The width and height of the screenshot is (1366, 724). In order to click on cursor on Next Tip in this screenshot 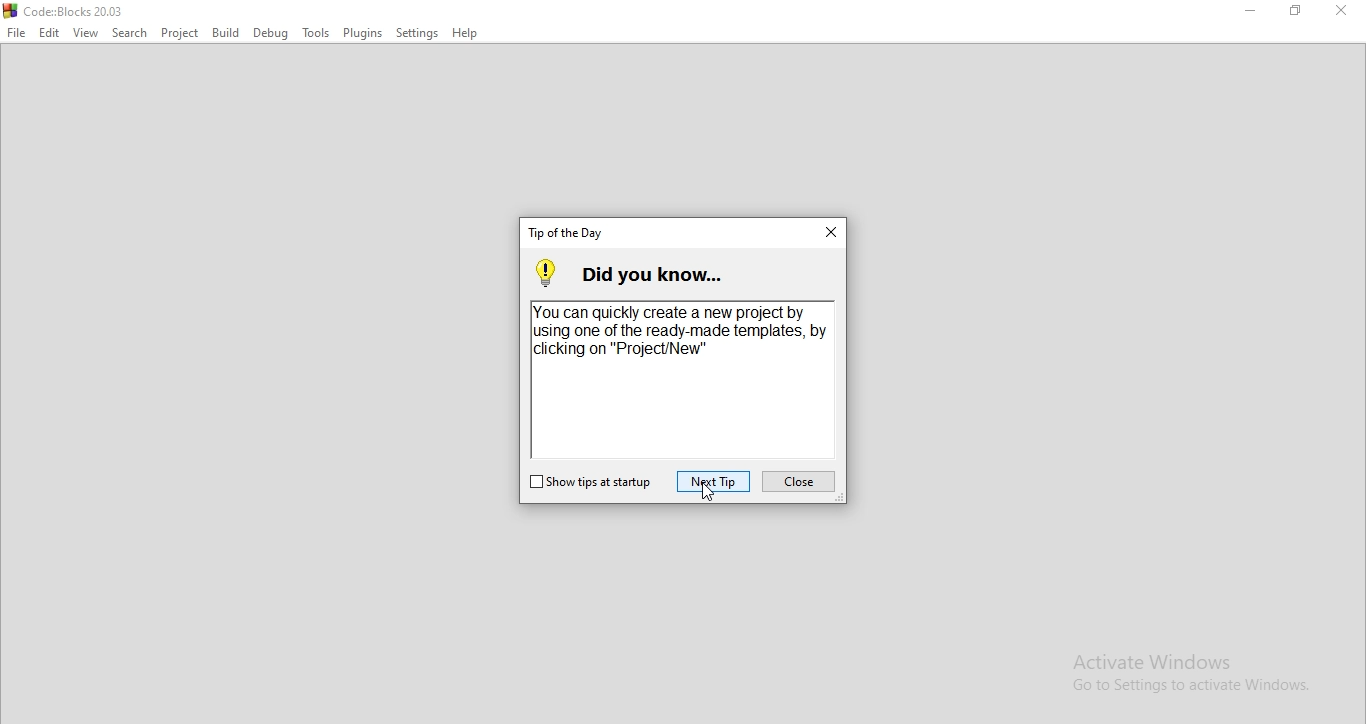, I will do `click(709, 494)`.